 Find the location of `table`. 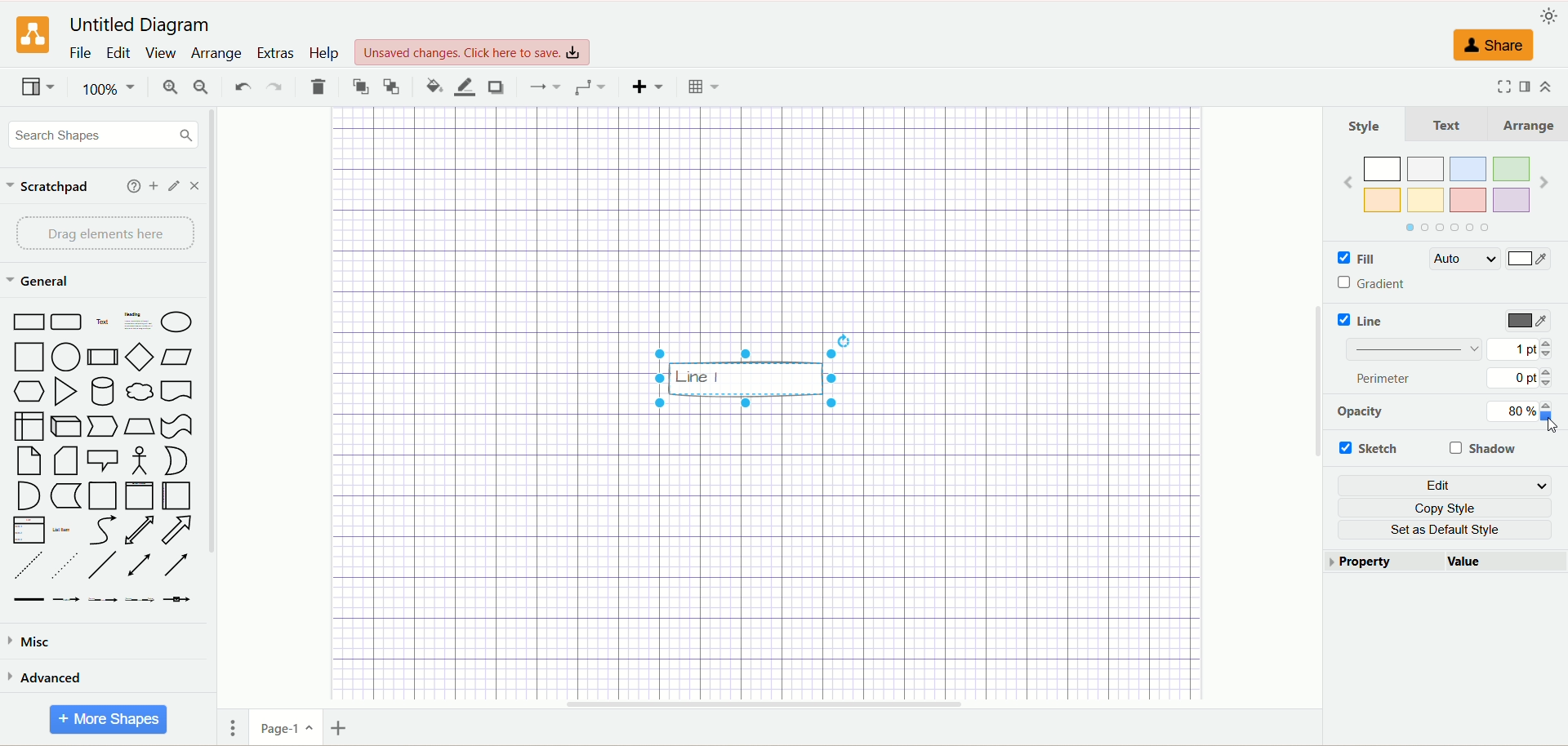

table is located at coordinates (700, 85).